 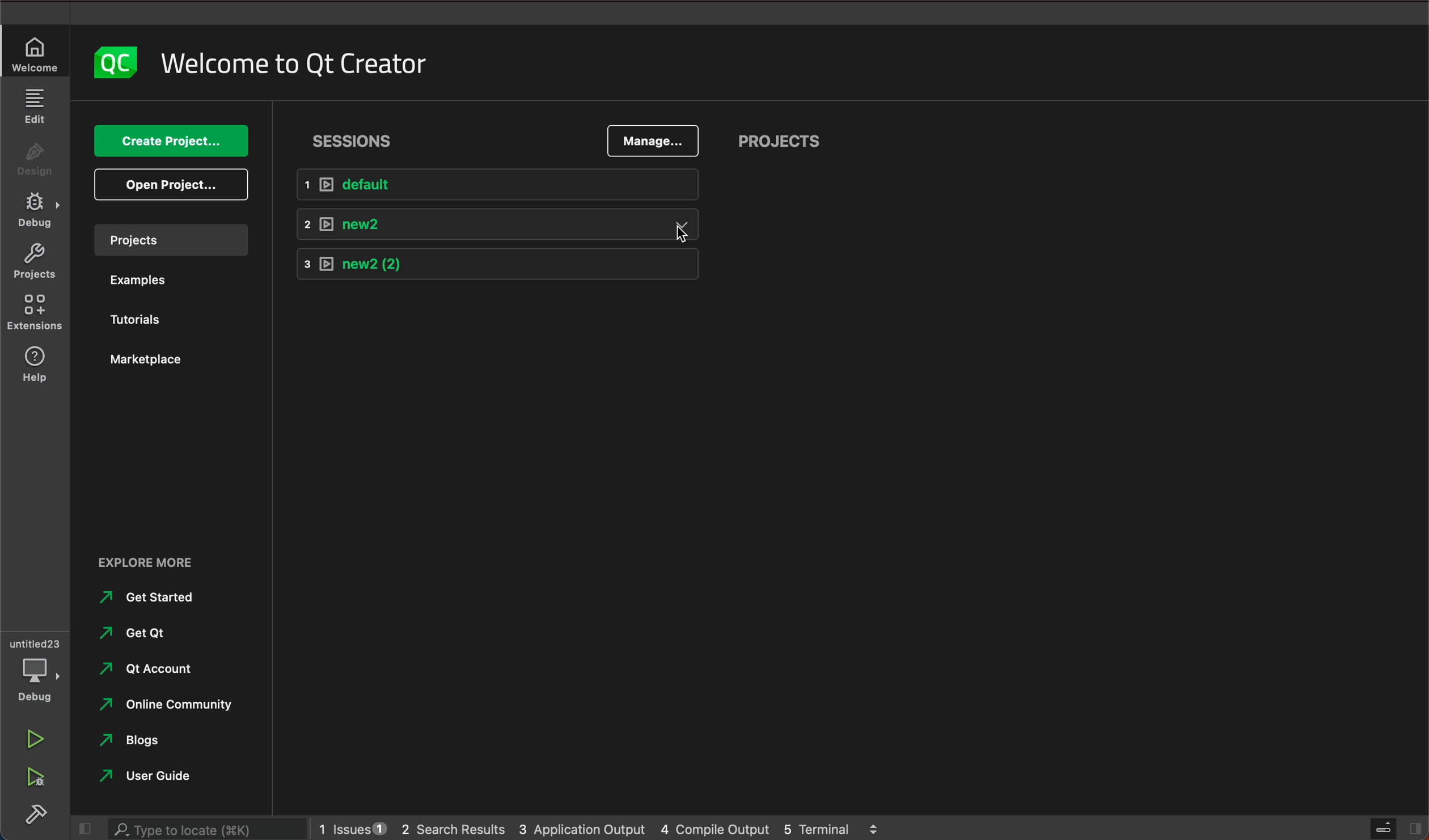 What do you see at coordinates (160, 281) in the screenshot?
I see `examples` at bounding box center [160, 281].